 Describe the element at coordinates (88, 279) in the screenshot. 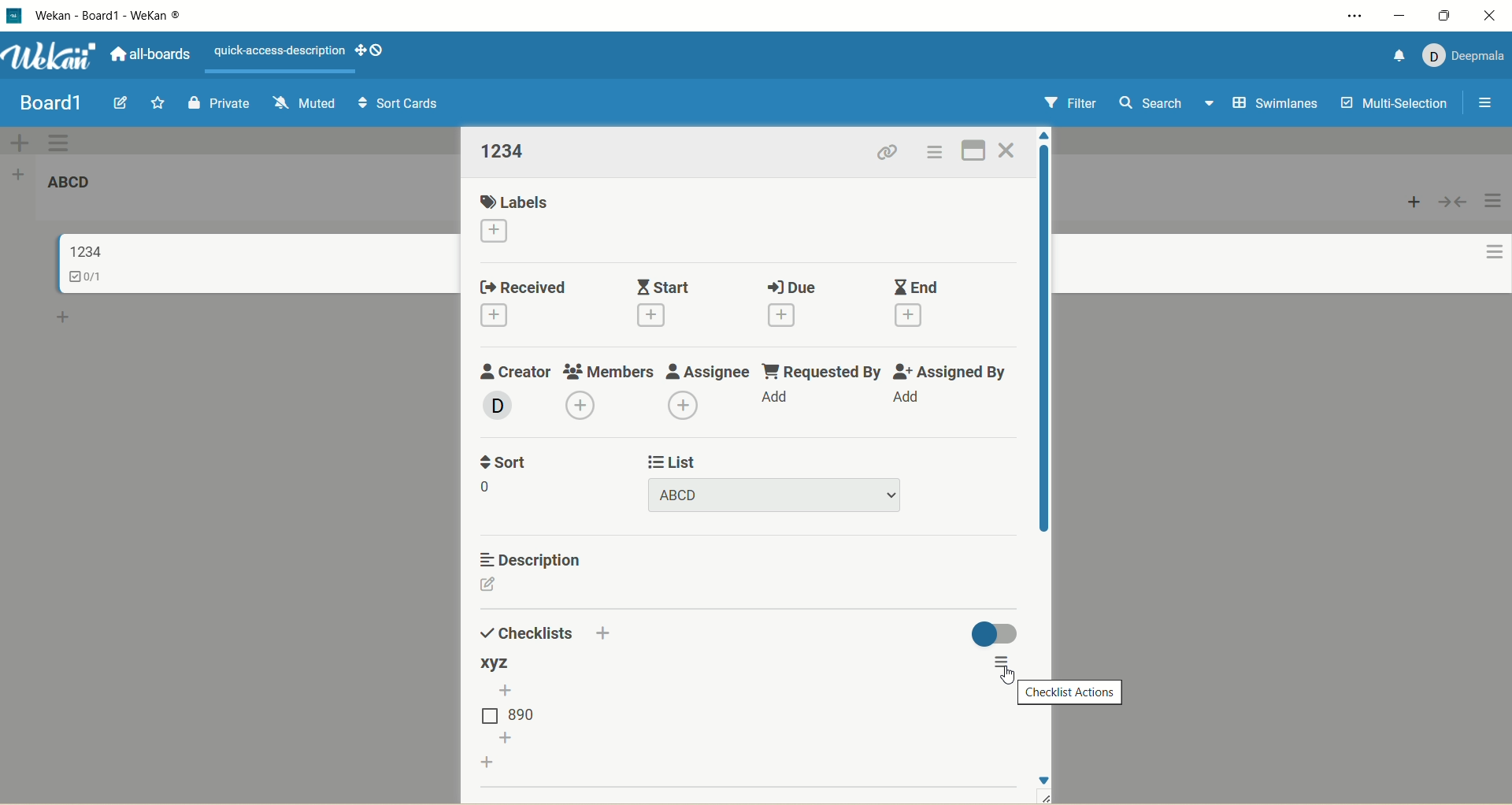

I see `checklist` at that location.